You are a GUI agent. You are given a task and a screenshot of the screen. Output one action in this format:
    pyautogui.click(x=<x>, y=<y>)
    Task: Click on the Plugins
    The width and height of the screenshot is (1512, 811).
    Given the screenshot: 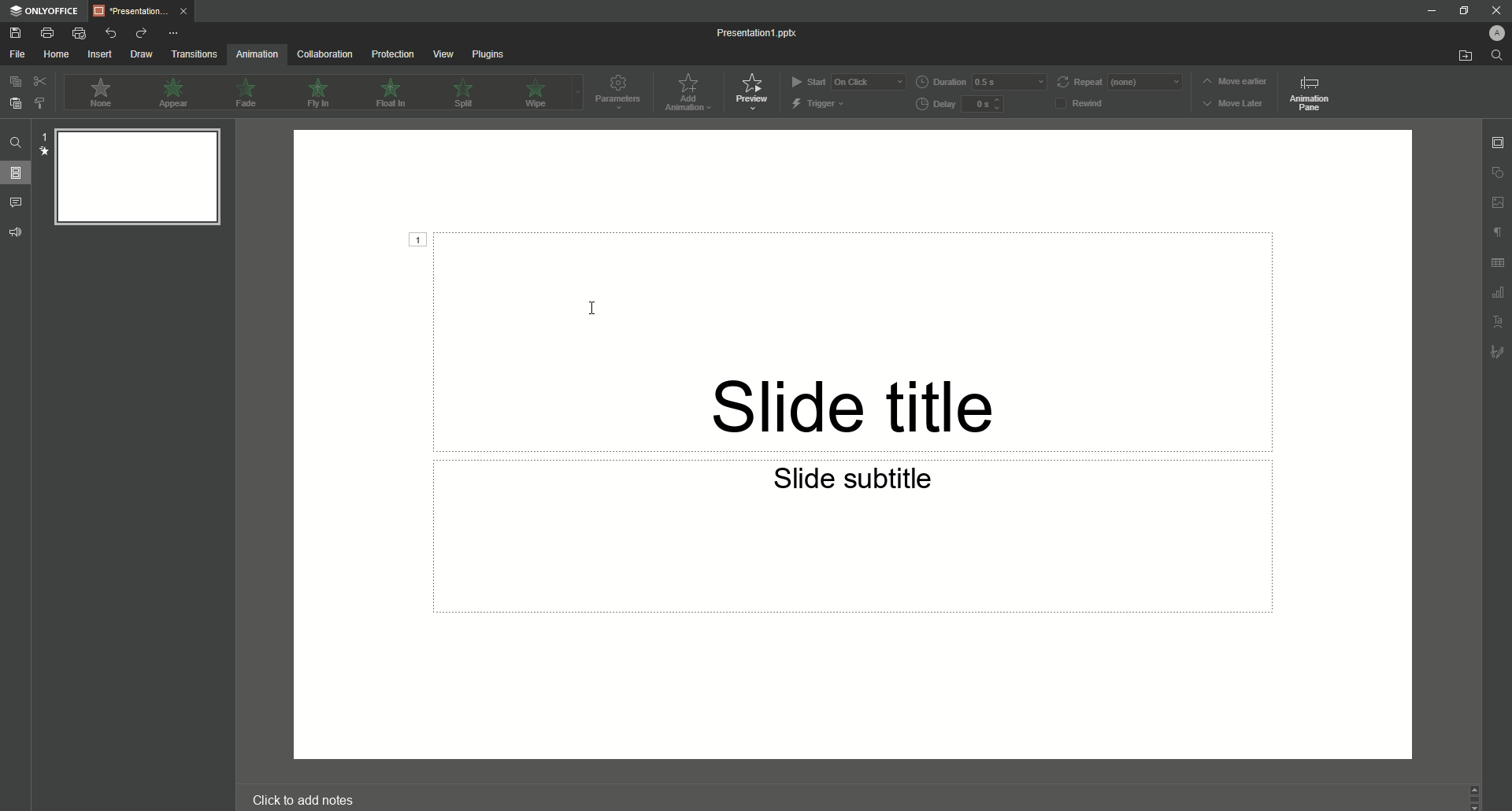 What is the action you would take?
    pyautogui.click(x=487, y=54)
    